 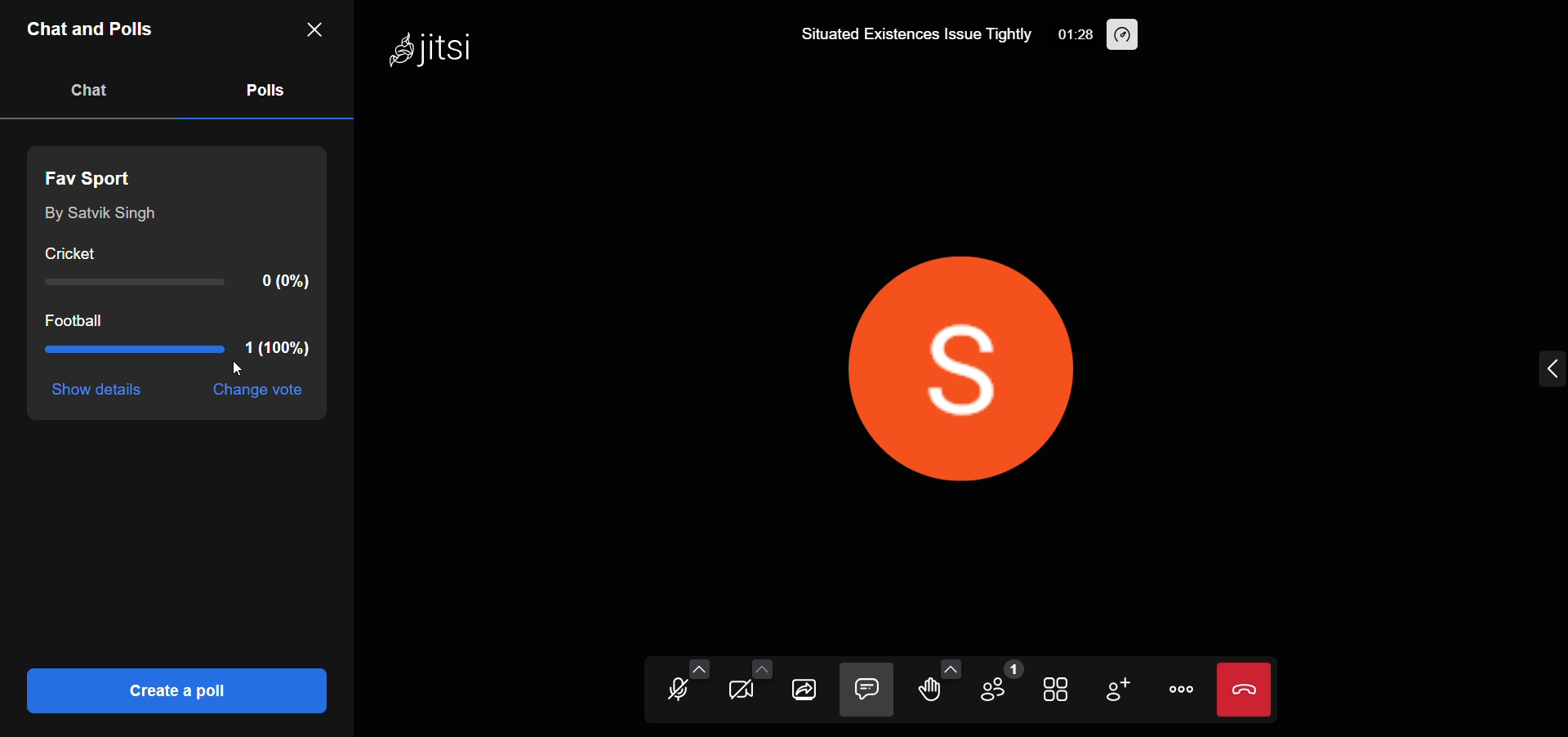 What do you see at coordinates (868, 688) in the screenshot?
I see `chat` at bounding box center [868, 688].